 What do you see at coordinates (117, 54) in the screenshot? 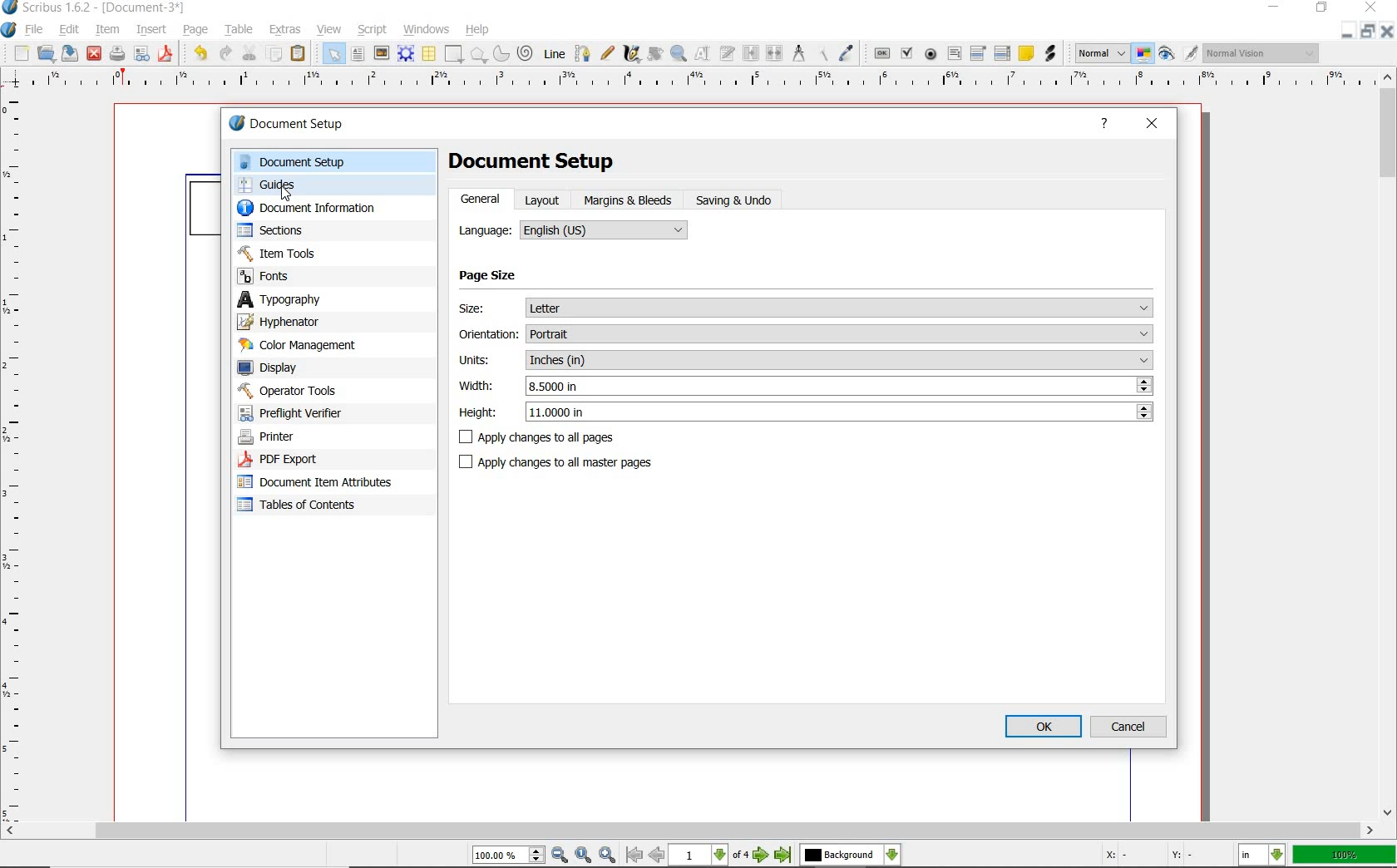
I see `print` at bounding box center [117, 54].